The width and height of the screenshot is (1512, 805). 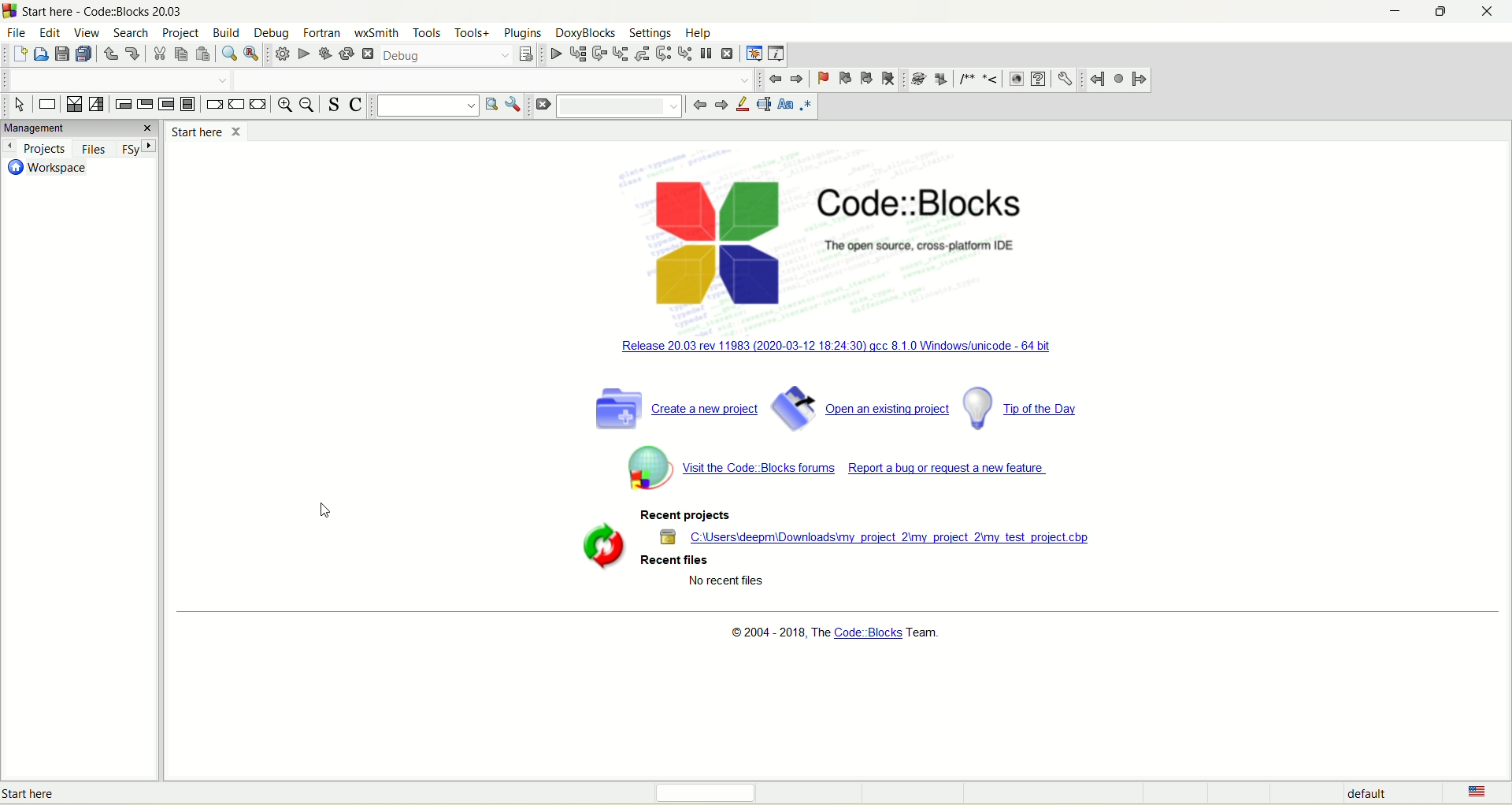 What do you see at coordinates (1025, 407) in the screenshot?
I see `tip og the day` at bounding box center [1025, 407].